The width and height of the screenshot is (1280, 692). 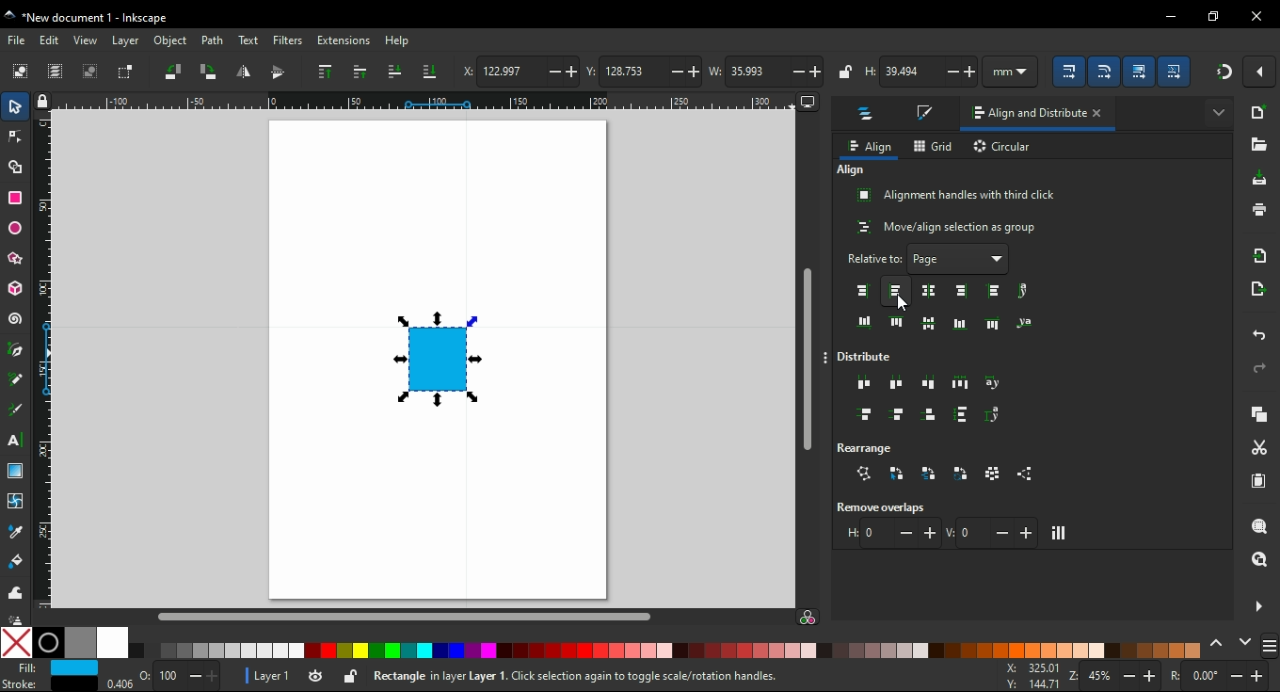 I want to click on pencil tool, so click(x=17, y=380).